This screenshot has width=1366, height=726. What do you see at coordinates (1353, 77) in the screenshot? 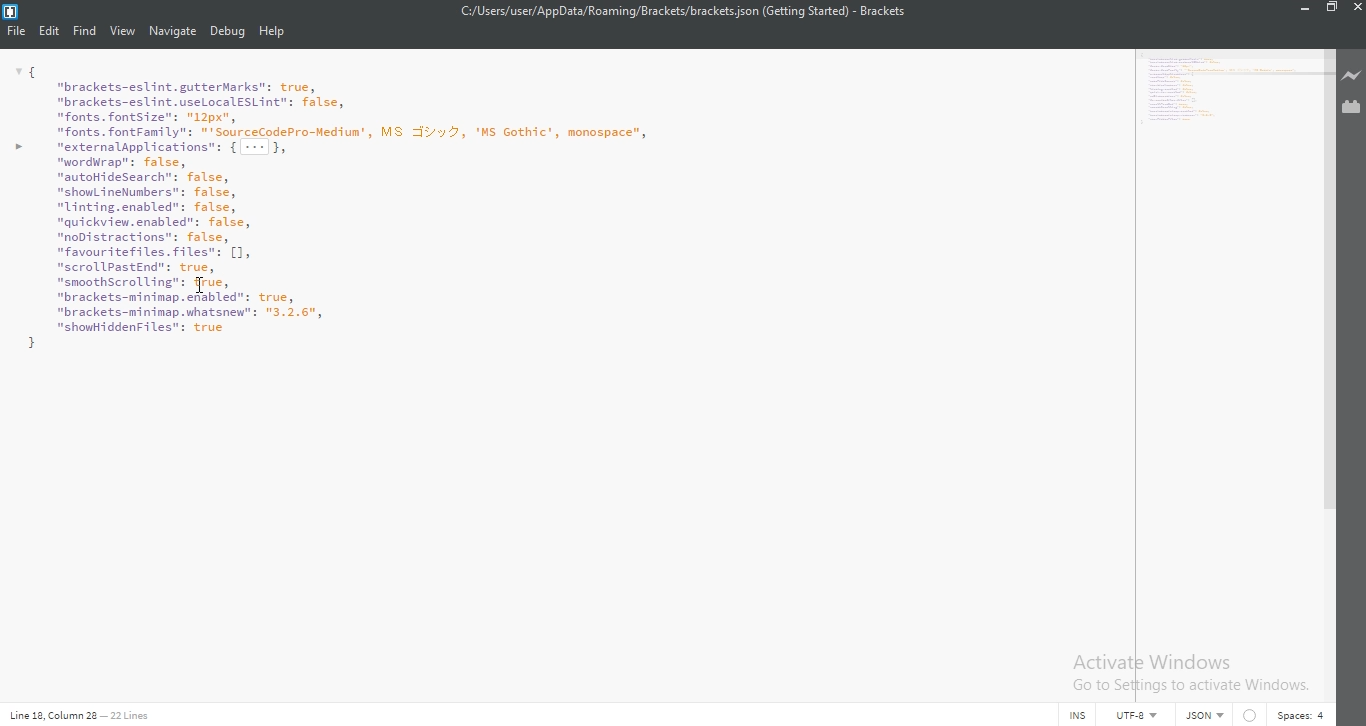
I see `Live preview` at bounding box center [1353, 77].